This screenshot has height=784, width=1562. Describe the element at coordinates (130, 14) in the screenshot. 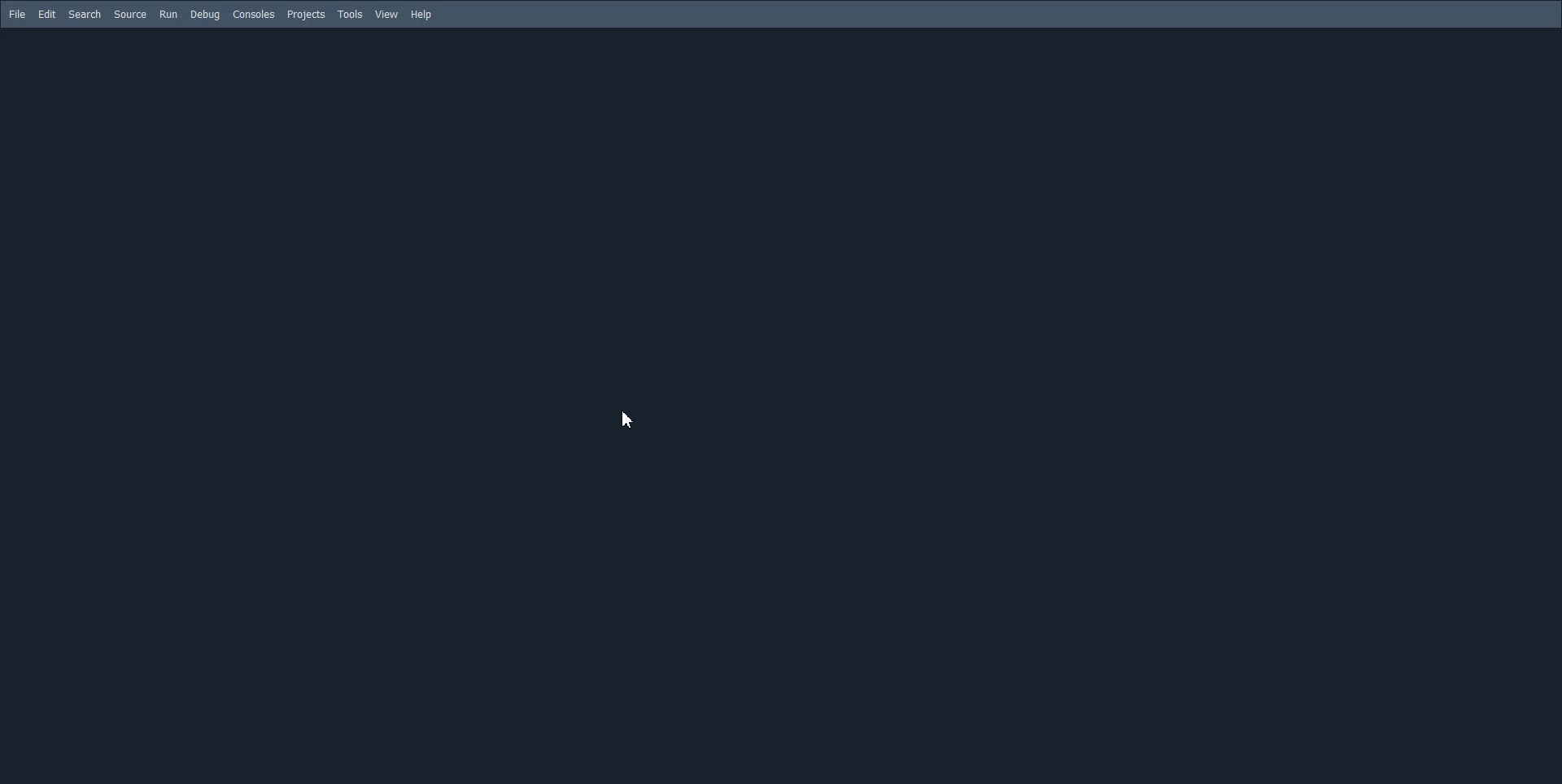

I see `Source` at that location.